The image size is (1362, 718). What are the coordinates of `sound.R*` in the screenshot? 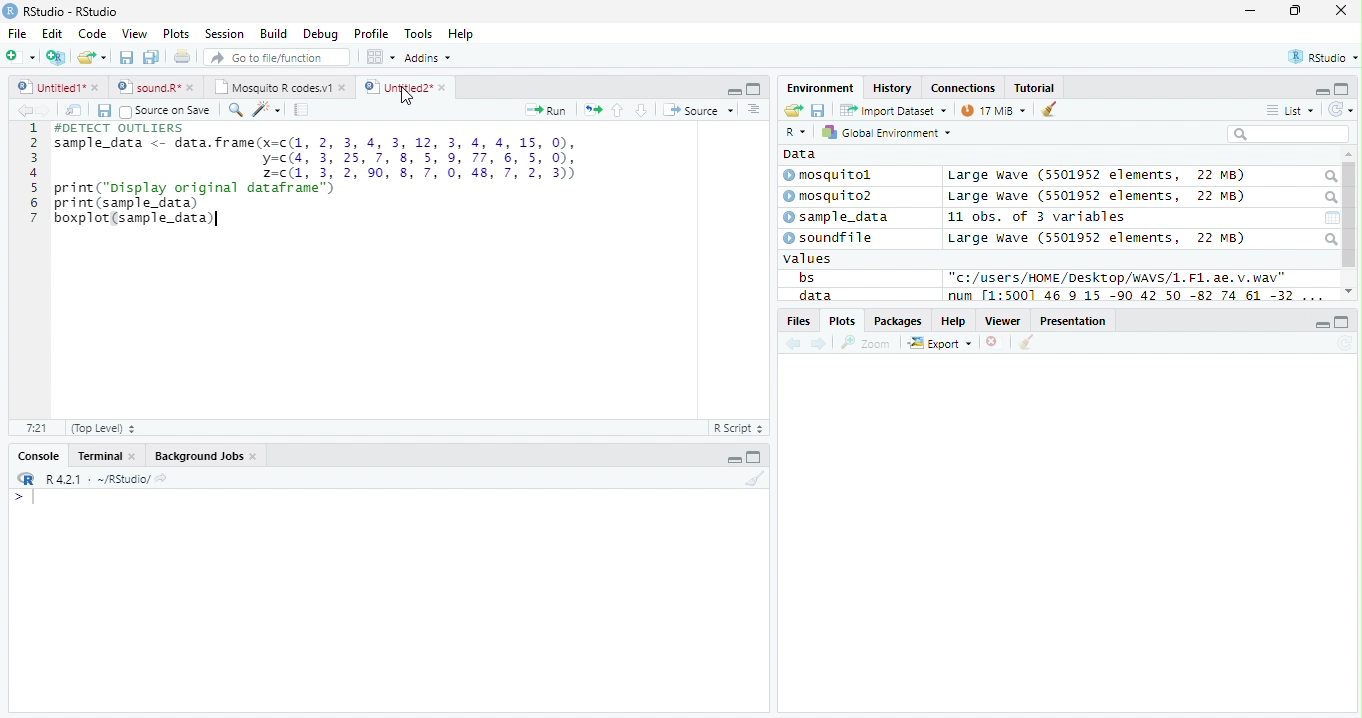 It's located at (153, 86).